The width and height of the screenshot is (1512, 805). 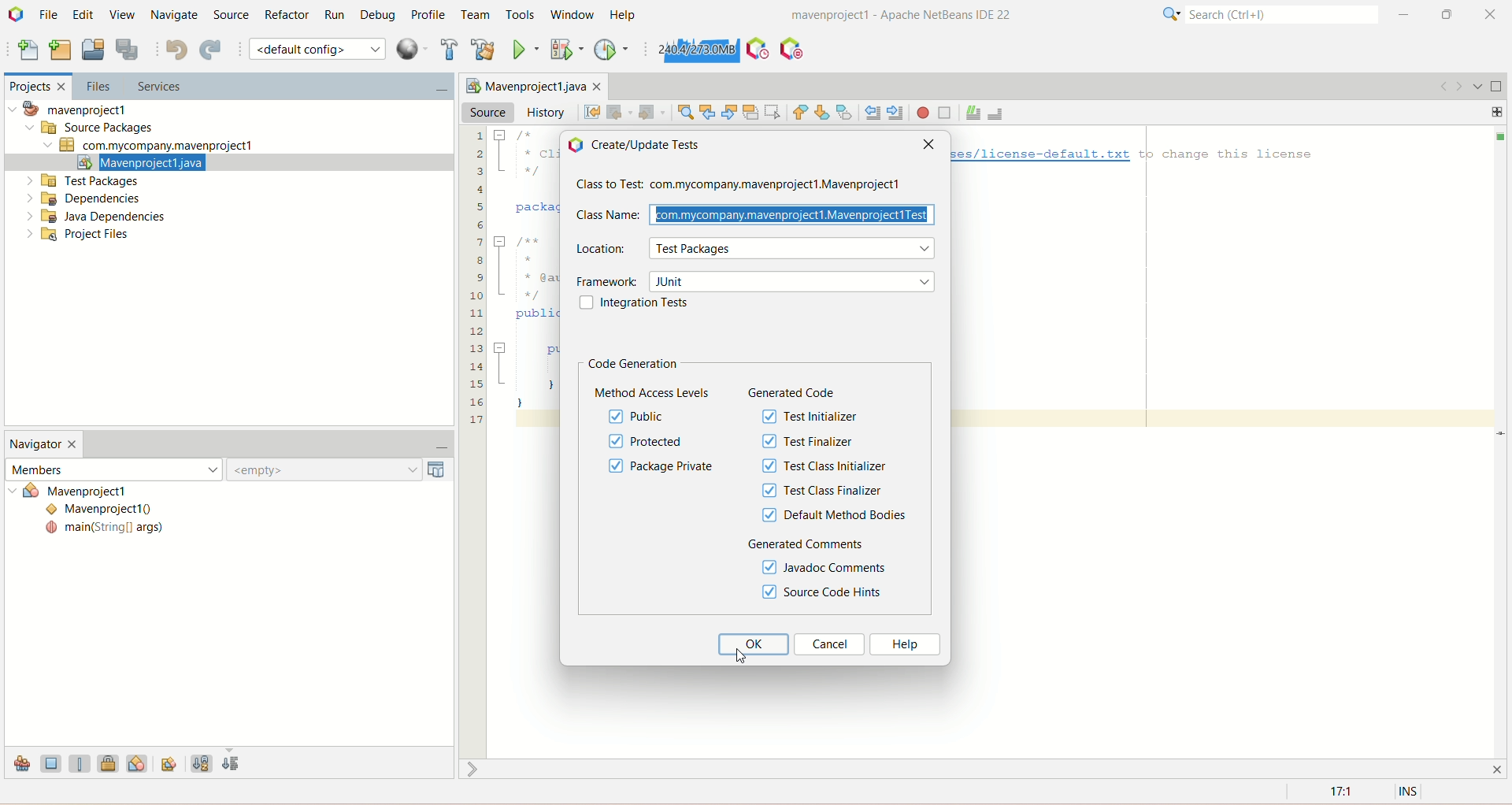 I want to click on close, so click(x=1501, y=768).